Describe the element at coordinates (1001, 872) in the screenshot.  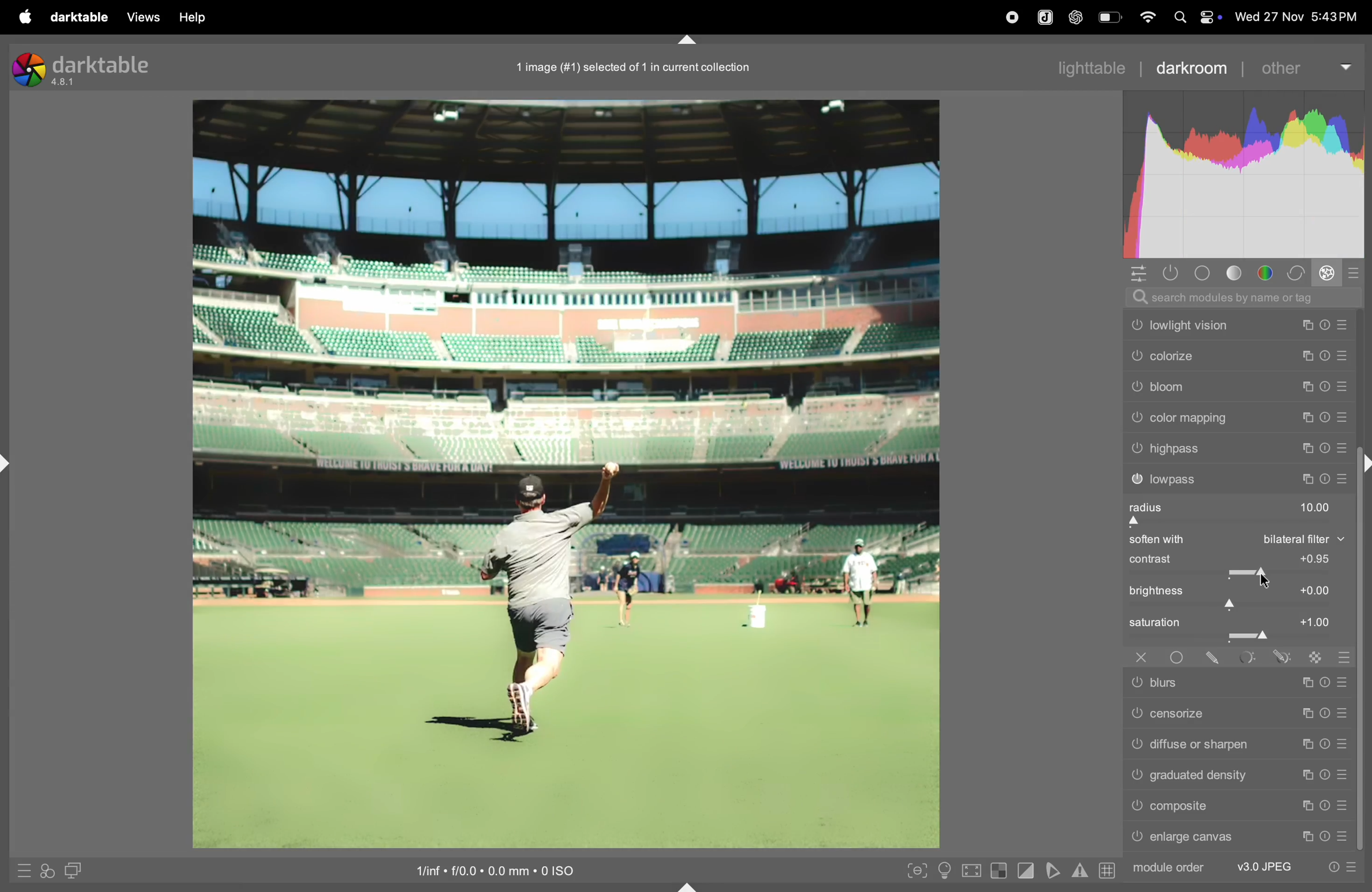
I see `toggle indication over exposure` at that location.